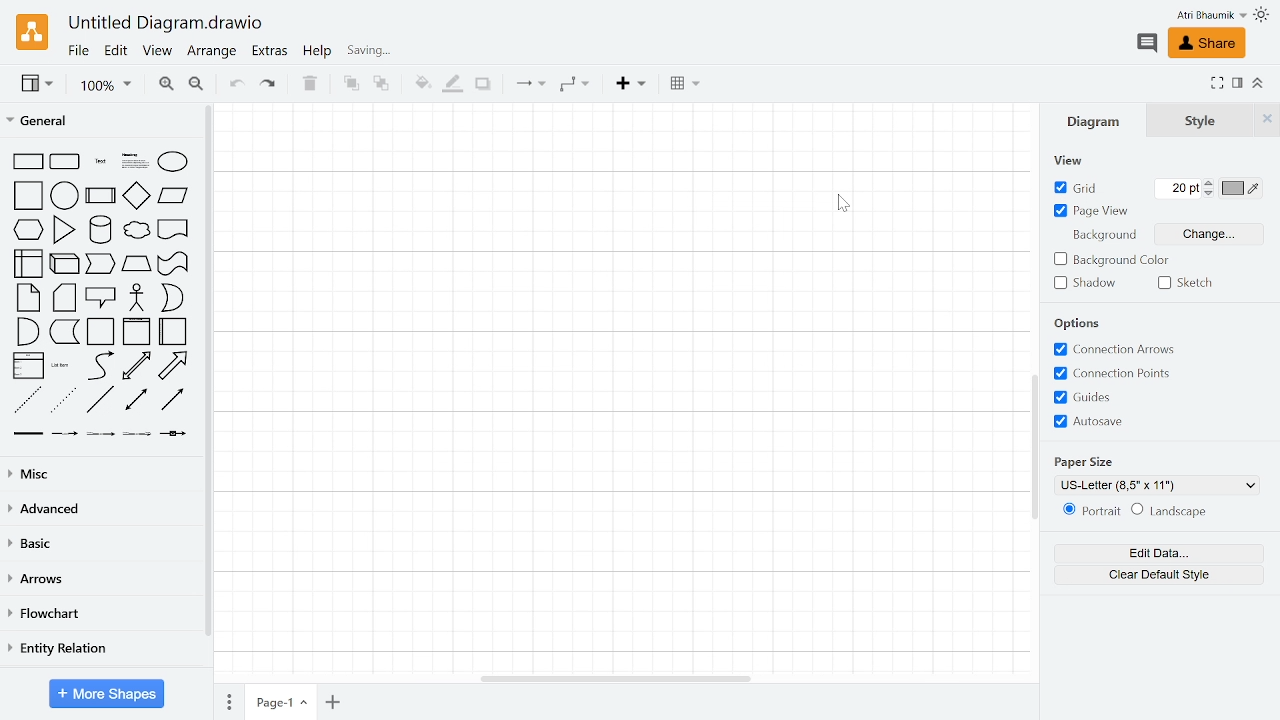  Describe the element at coordinates (1153, 485) in the screenshot. I see `Current Paper size` at that location.